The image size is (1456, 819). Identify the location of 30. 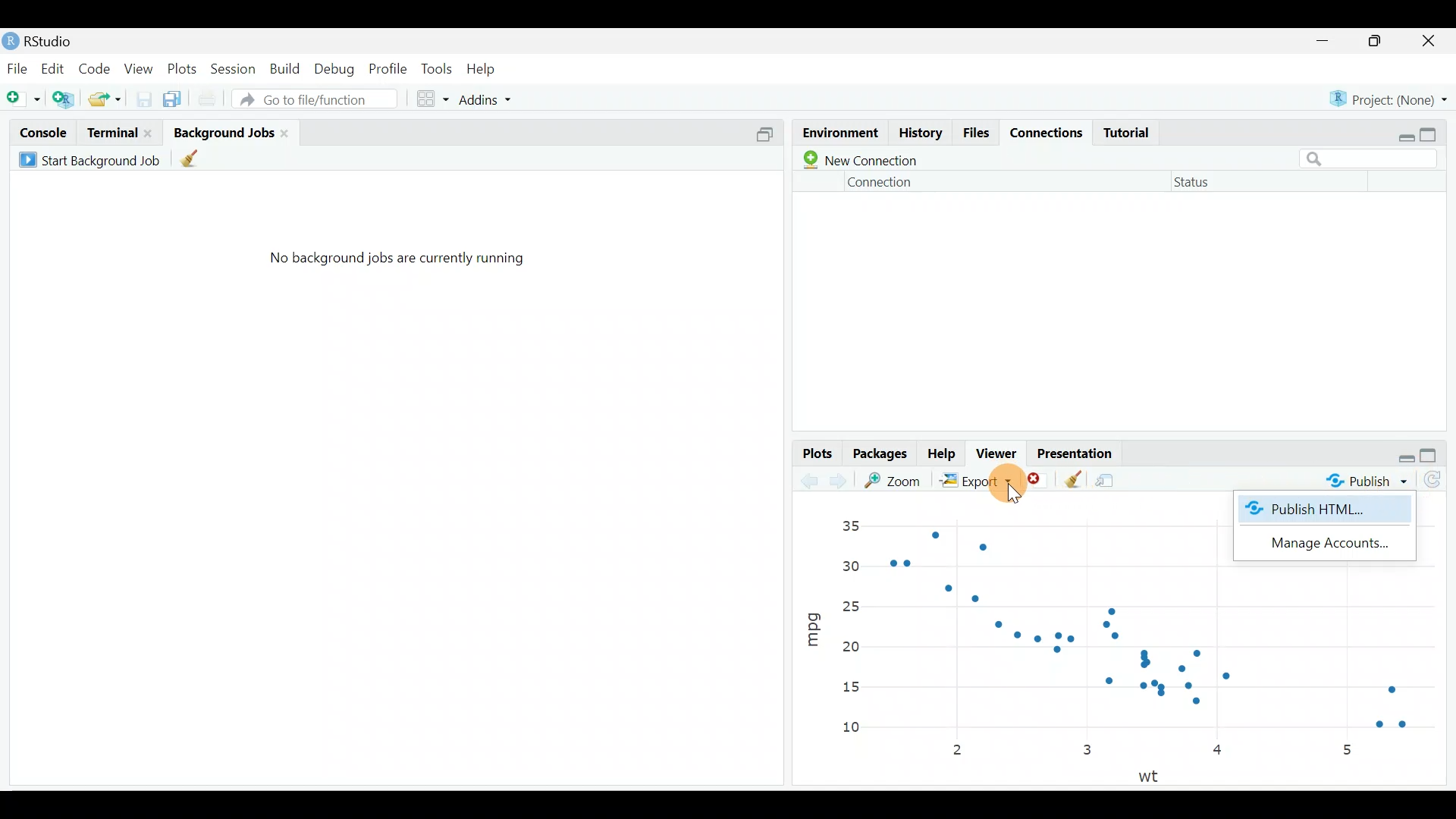
(852, 564).